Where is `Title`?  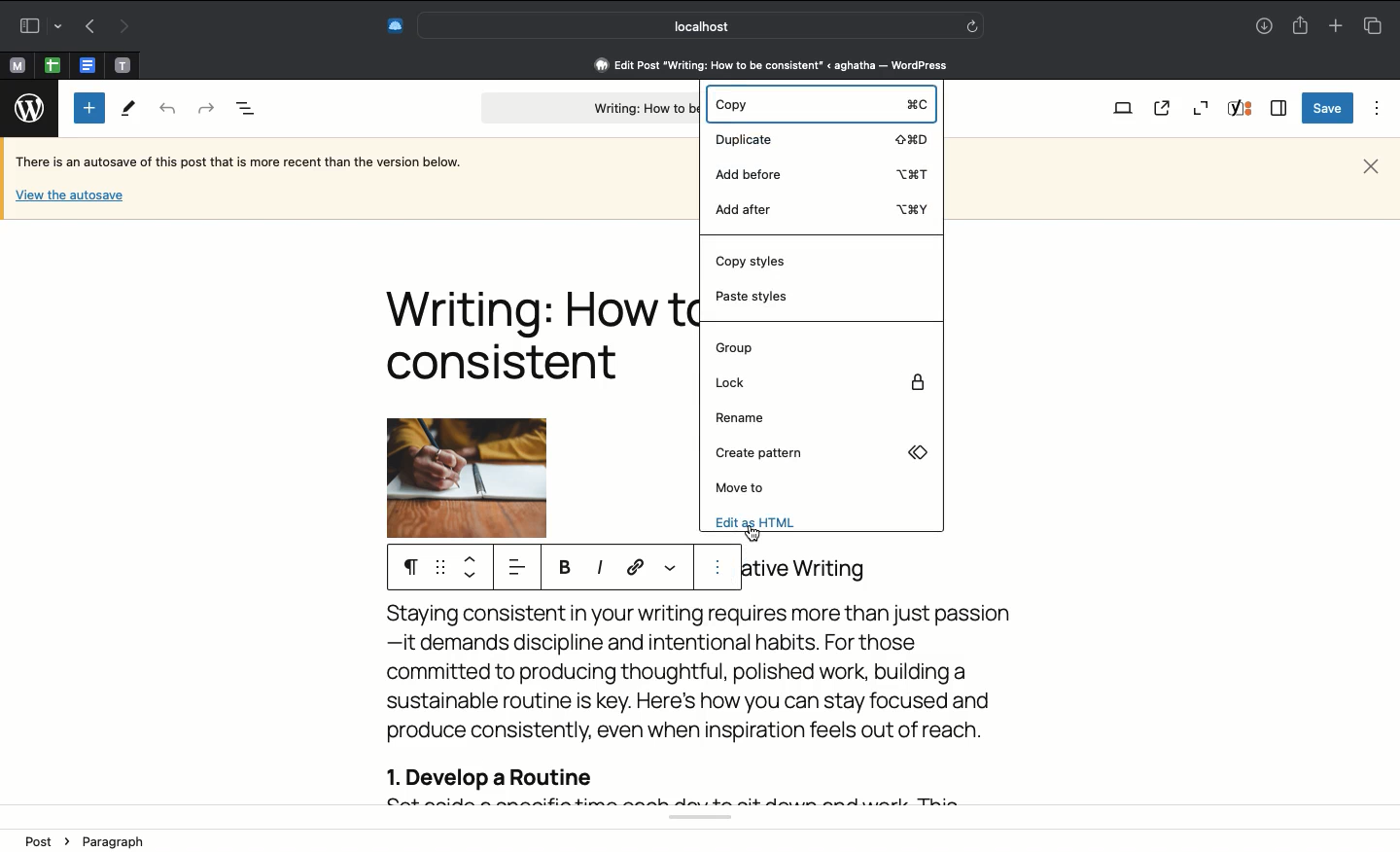 Title is located at coordinates (536, 335).